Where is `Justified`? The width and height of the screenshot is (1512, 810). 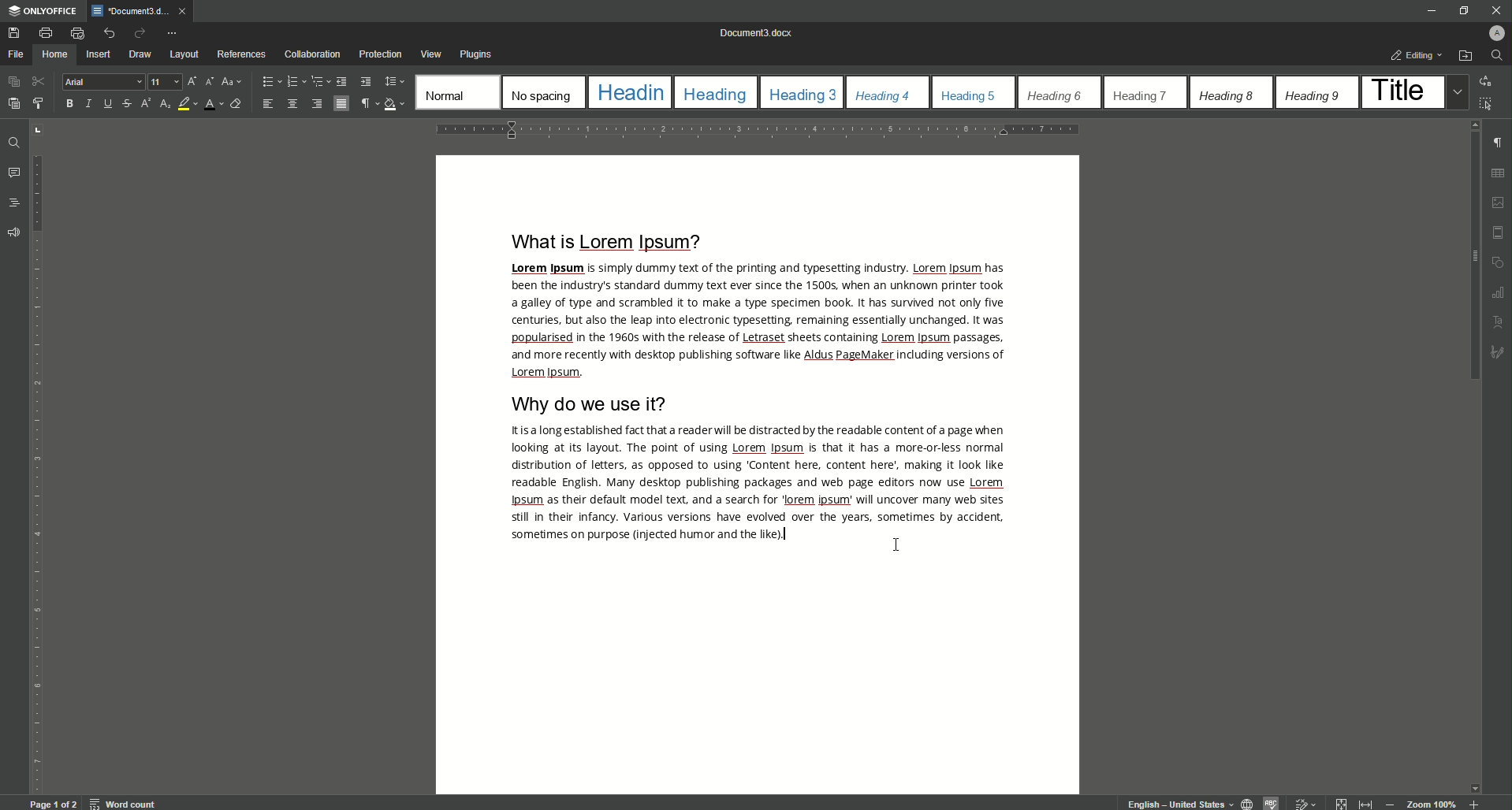
Justified is located at coordinates (341, 104).